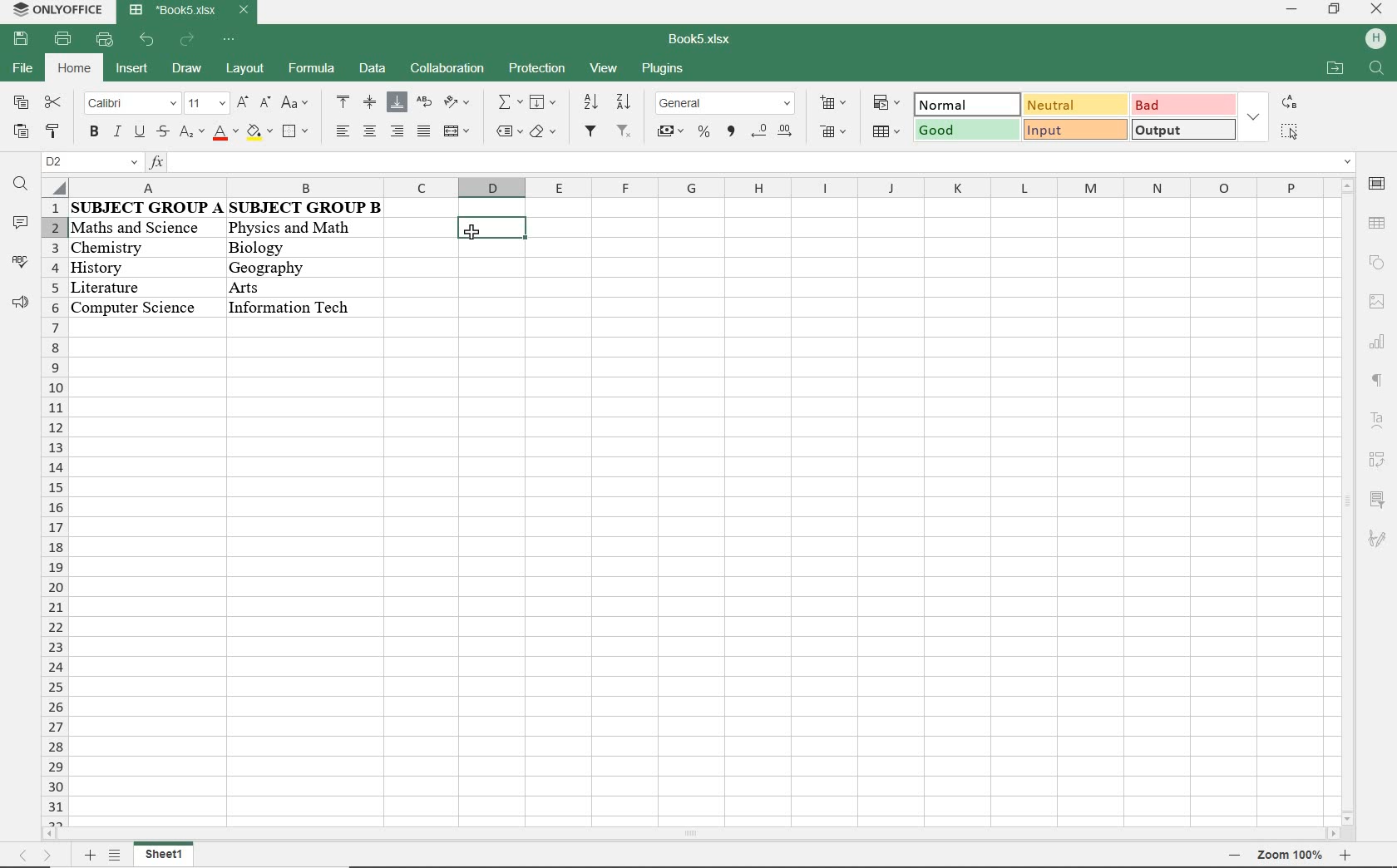  What do you see at coordinates (135, 70) in the screenshot?
I see `insert` at bounding box center [135, 70].